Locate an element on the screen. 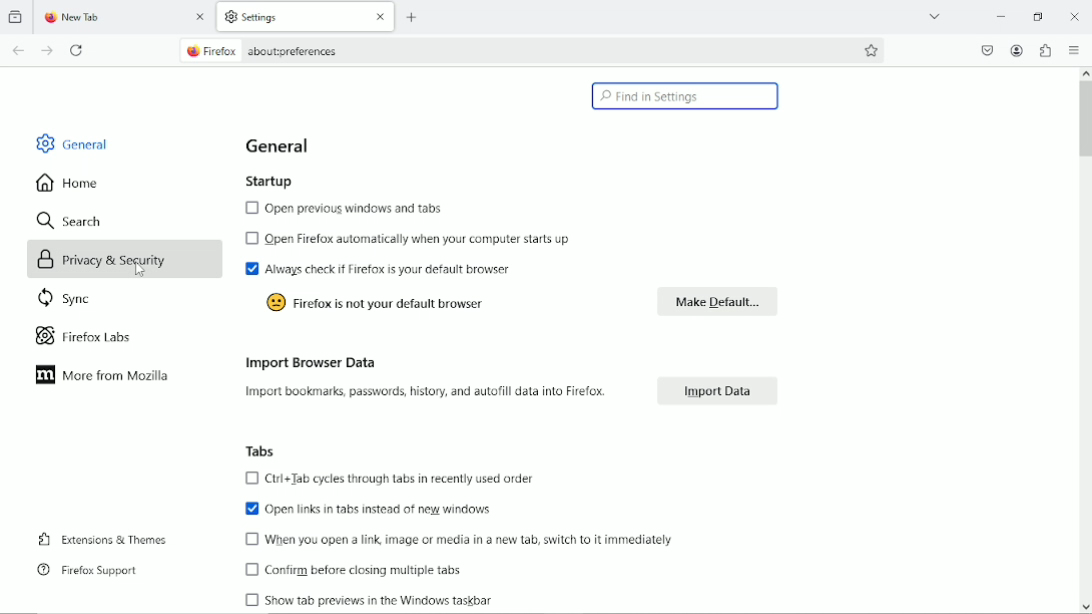  checkbox is located at coordinates (250, 478).